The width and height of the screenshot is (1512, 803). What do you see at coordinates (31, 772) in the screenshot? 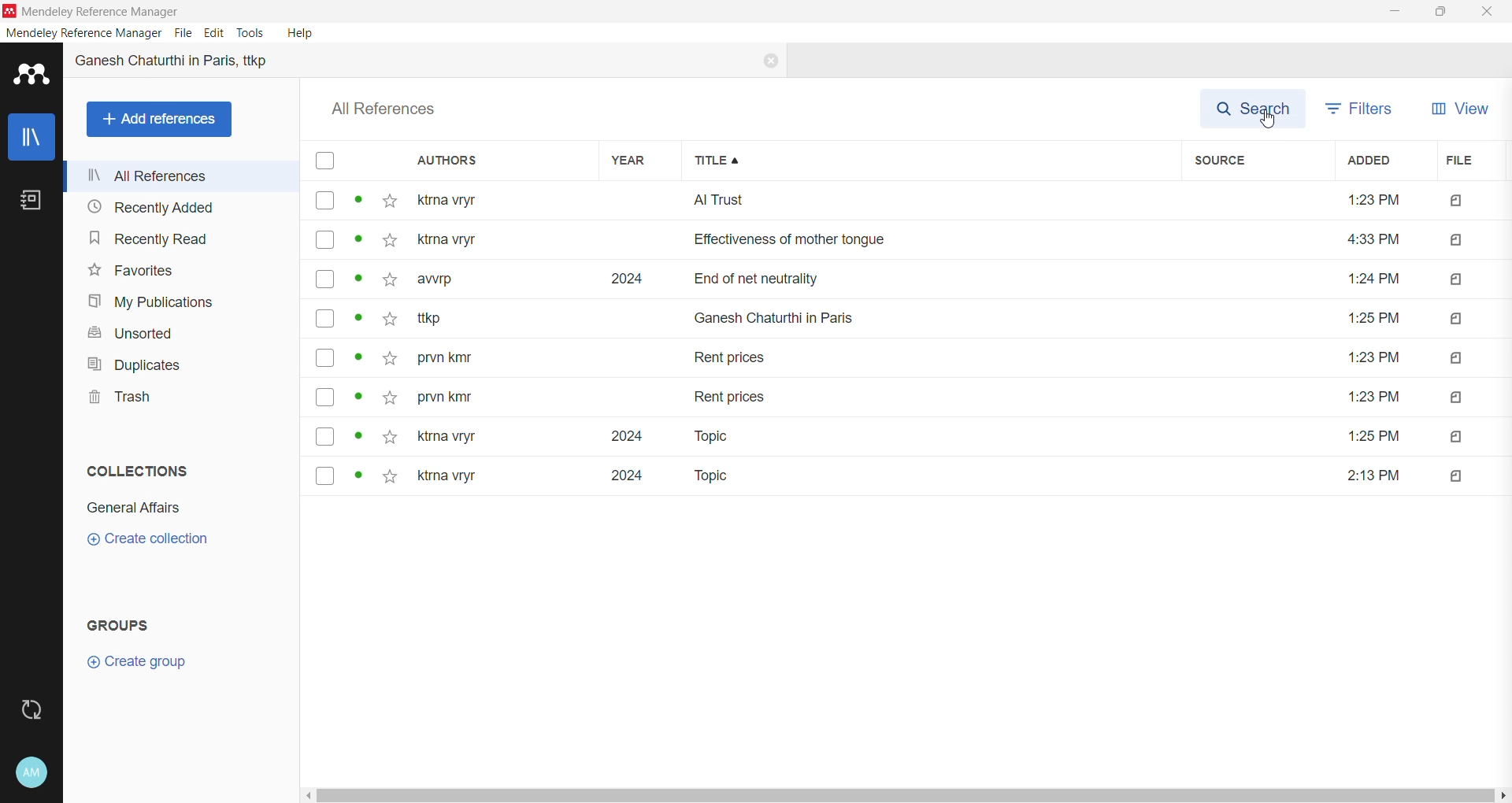
I see `Account and Help` at bounding box center [31, 772].